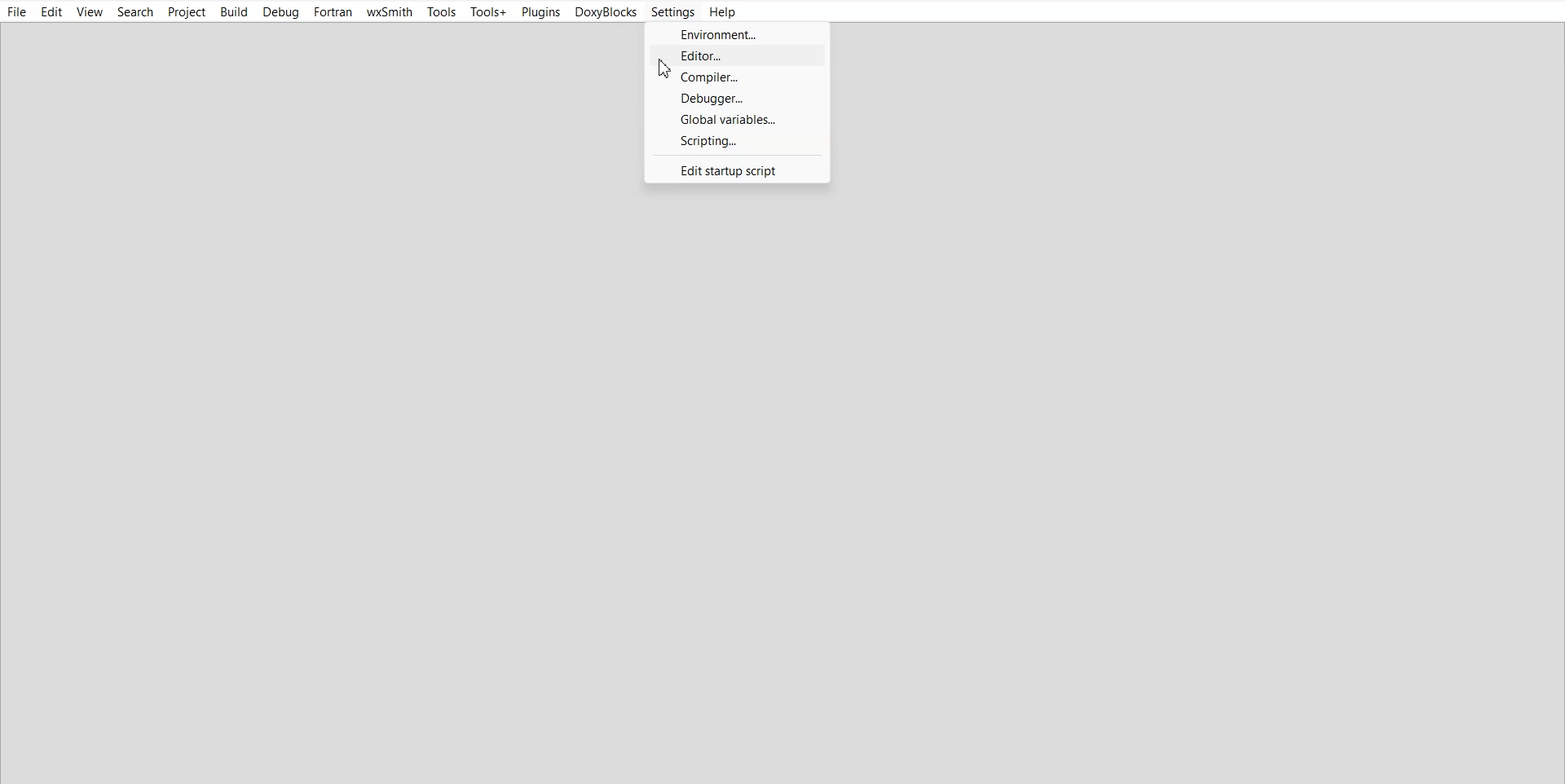 Image resolution: width=1565 pixels, height=784 pixels. Describe the element at coordinates (738, 141) in the screenshot. I see `Scripting` at that location.